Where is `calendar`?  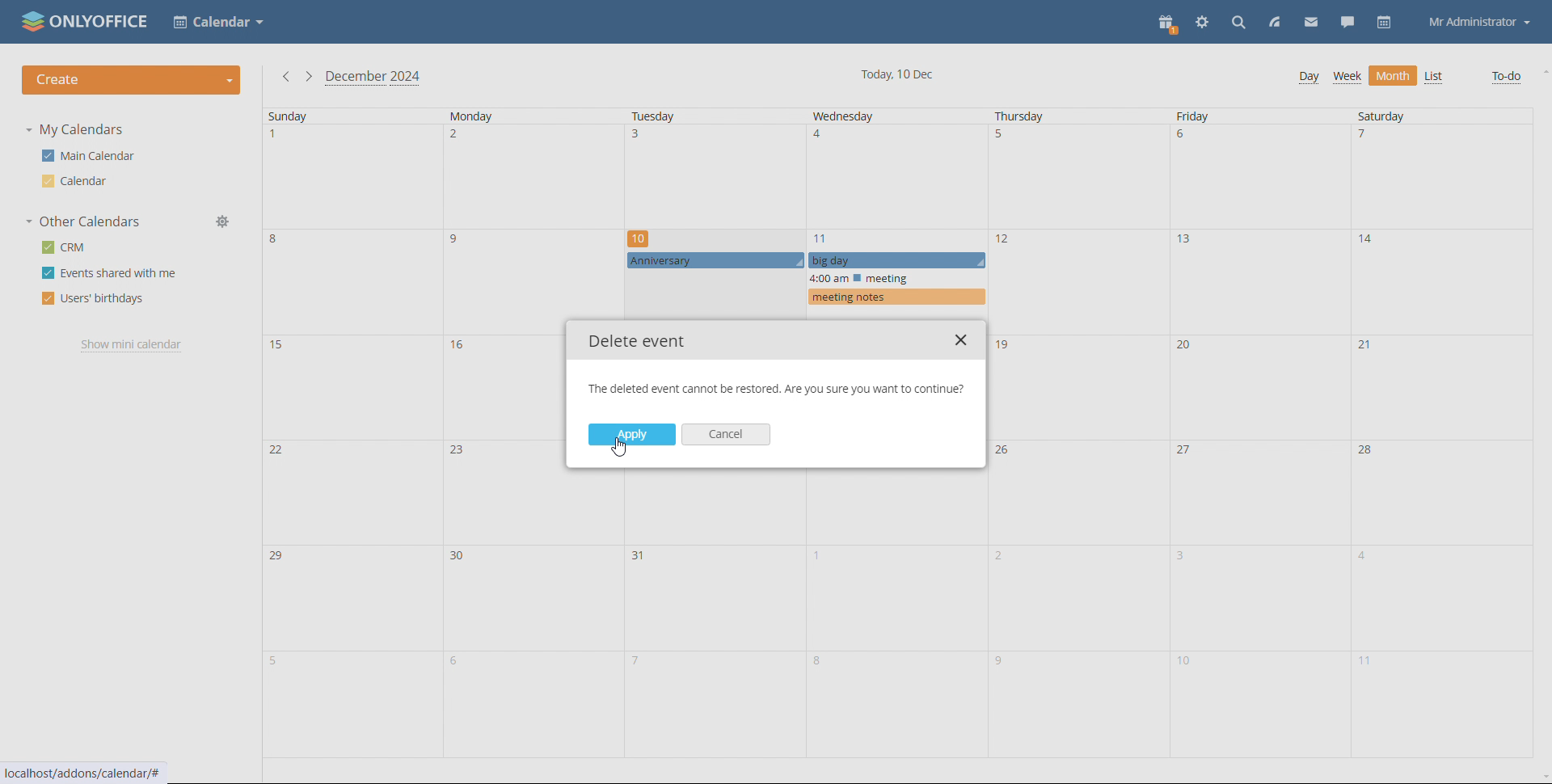 calendar is located at coordinates (1385, 23).